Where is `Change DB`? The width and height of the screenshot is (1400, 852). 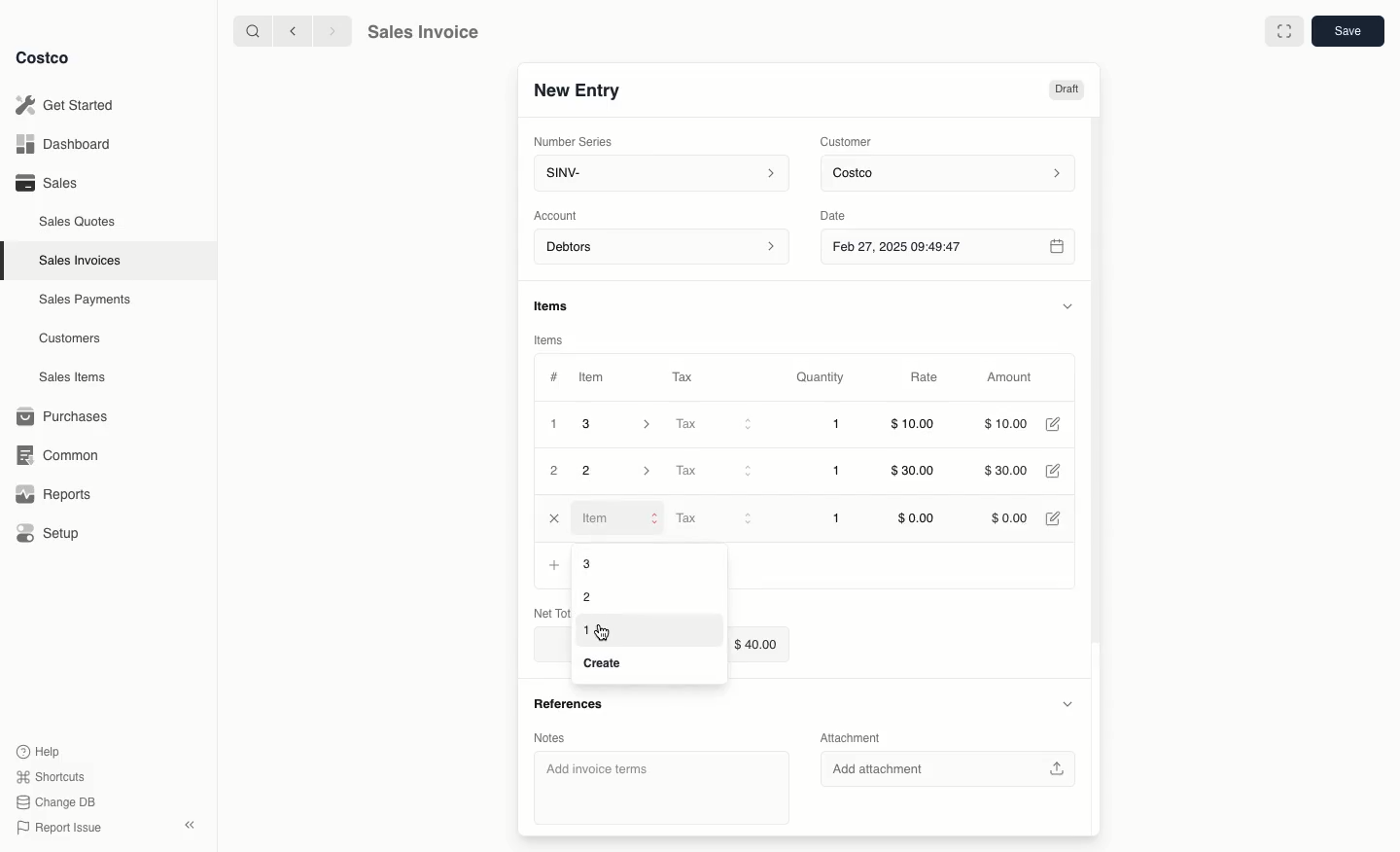
Change DB is located at coordinates (58, 799).